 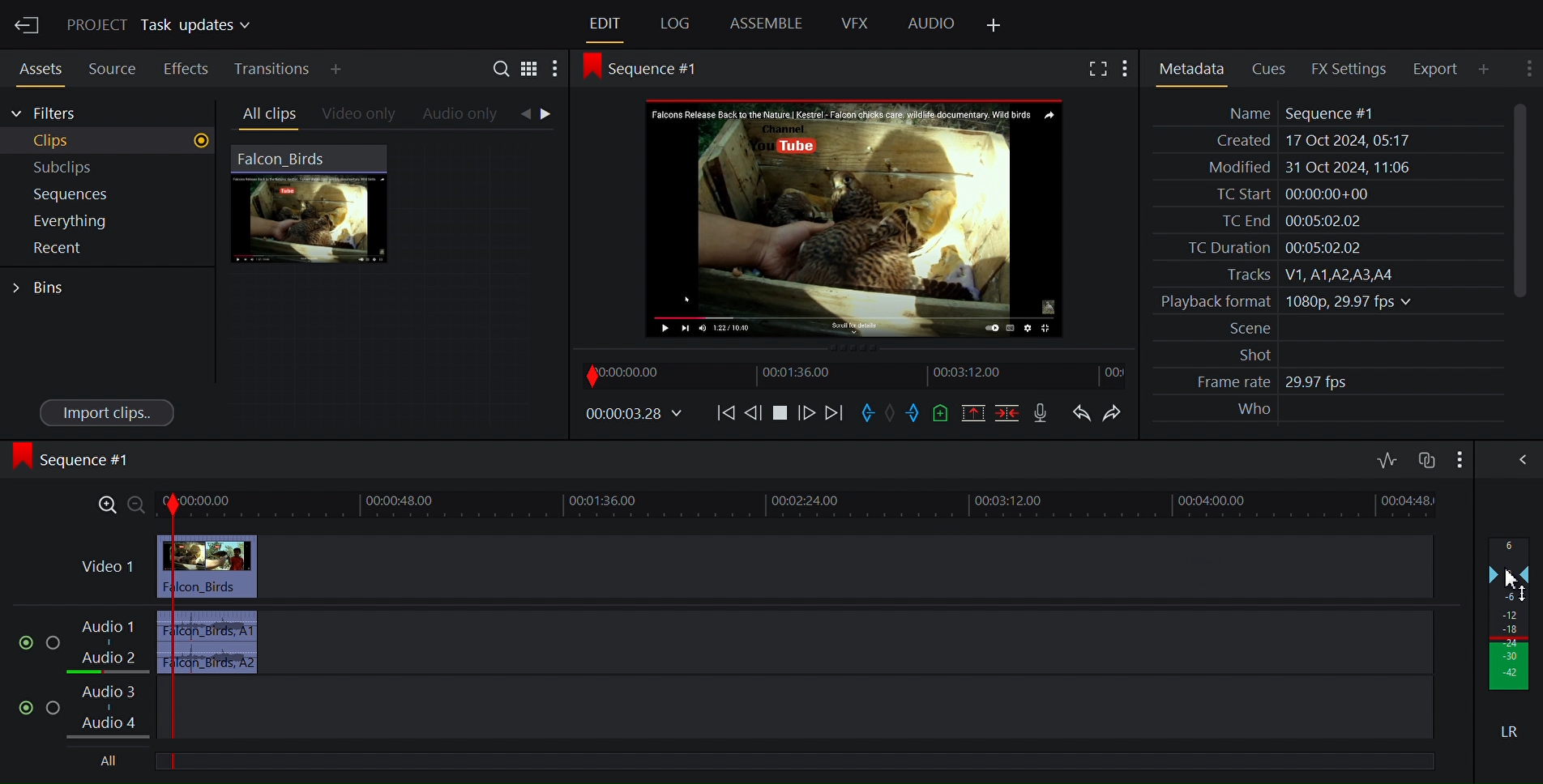 What do you see at coordinates (20, 639) in the screenshot?
I see `Mute/Unmute` at bounding box center [20, 639].